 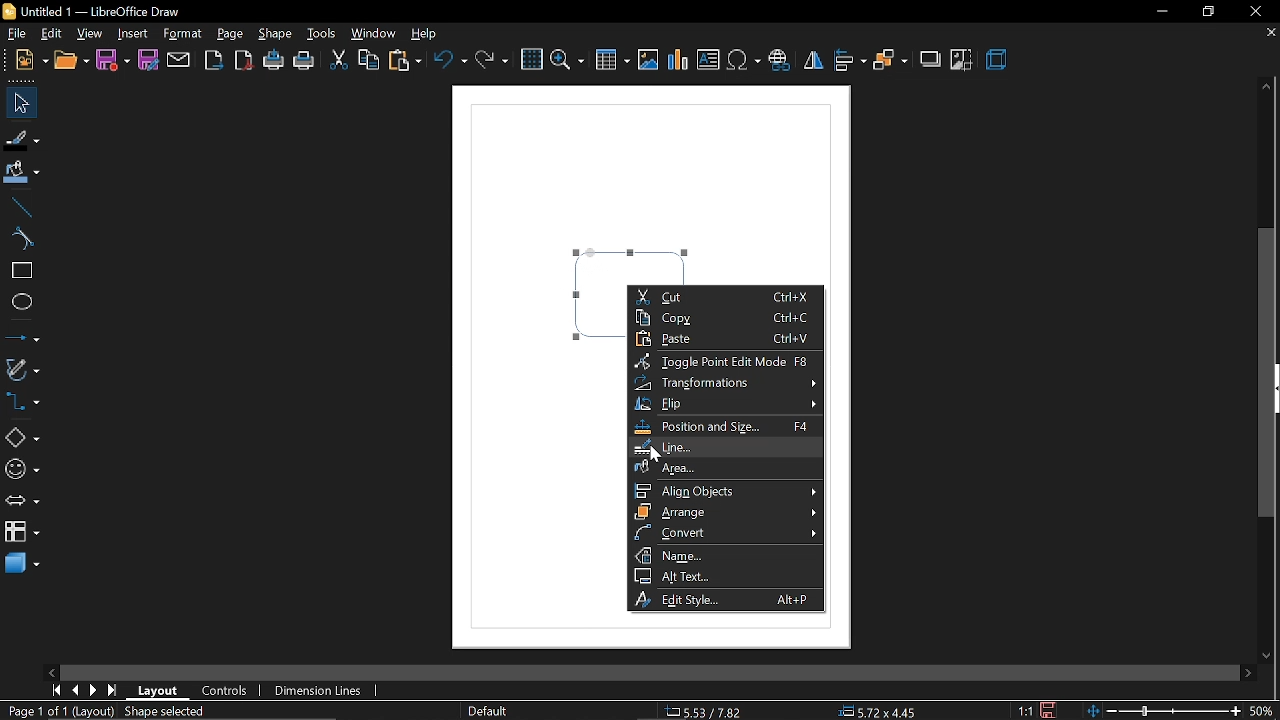 What do you see at coordinates (1248, 671) in the screenshot?
I see `move right` at bounding box center [1248, 671].